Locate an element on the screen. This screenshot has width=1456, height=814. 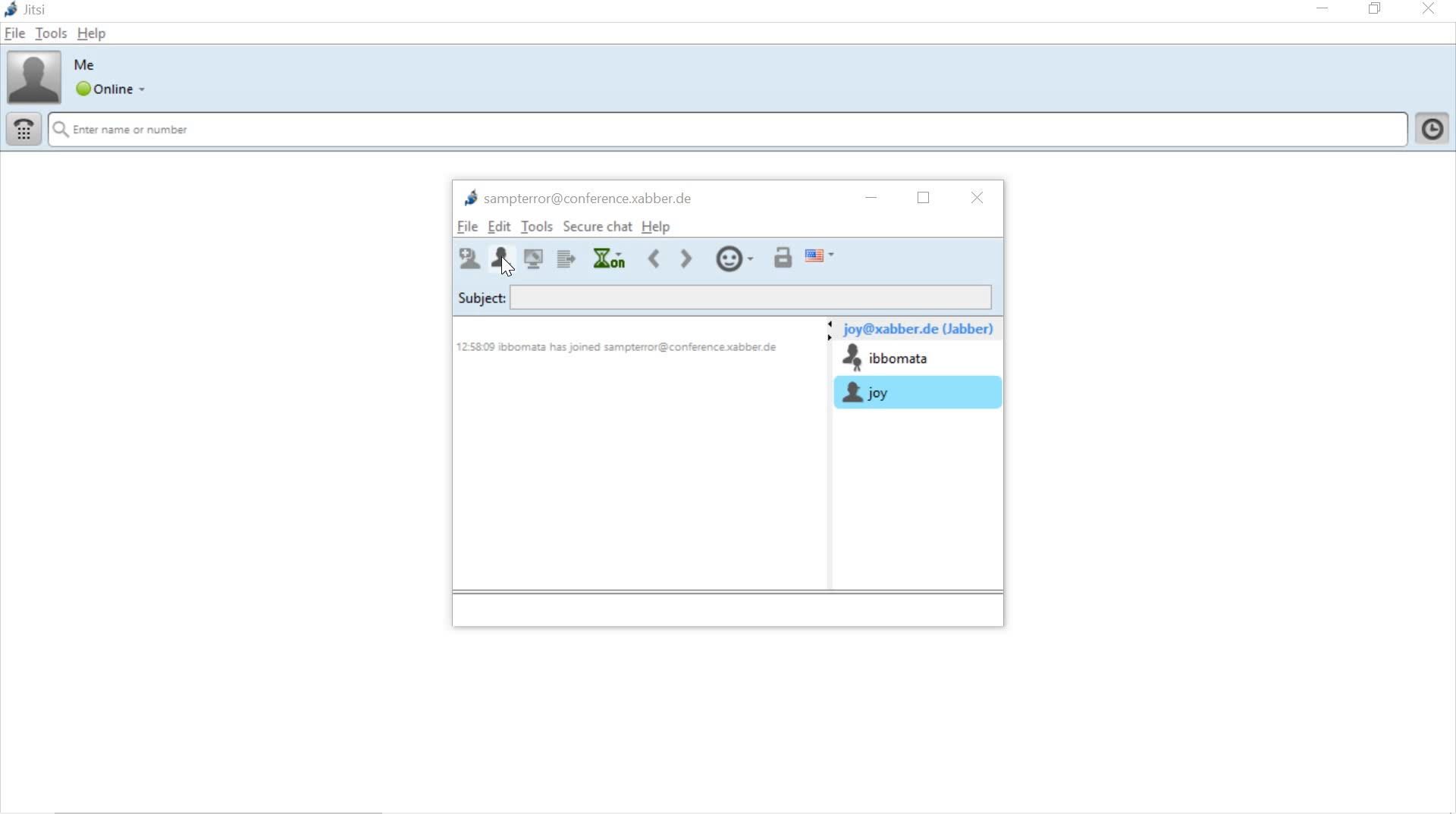
file is located at coordinates (467, 227).